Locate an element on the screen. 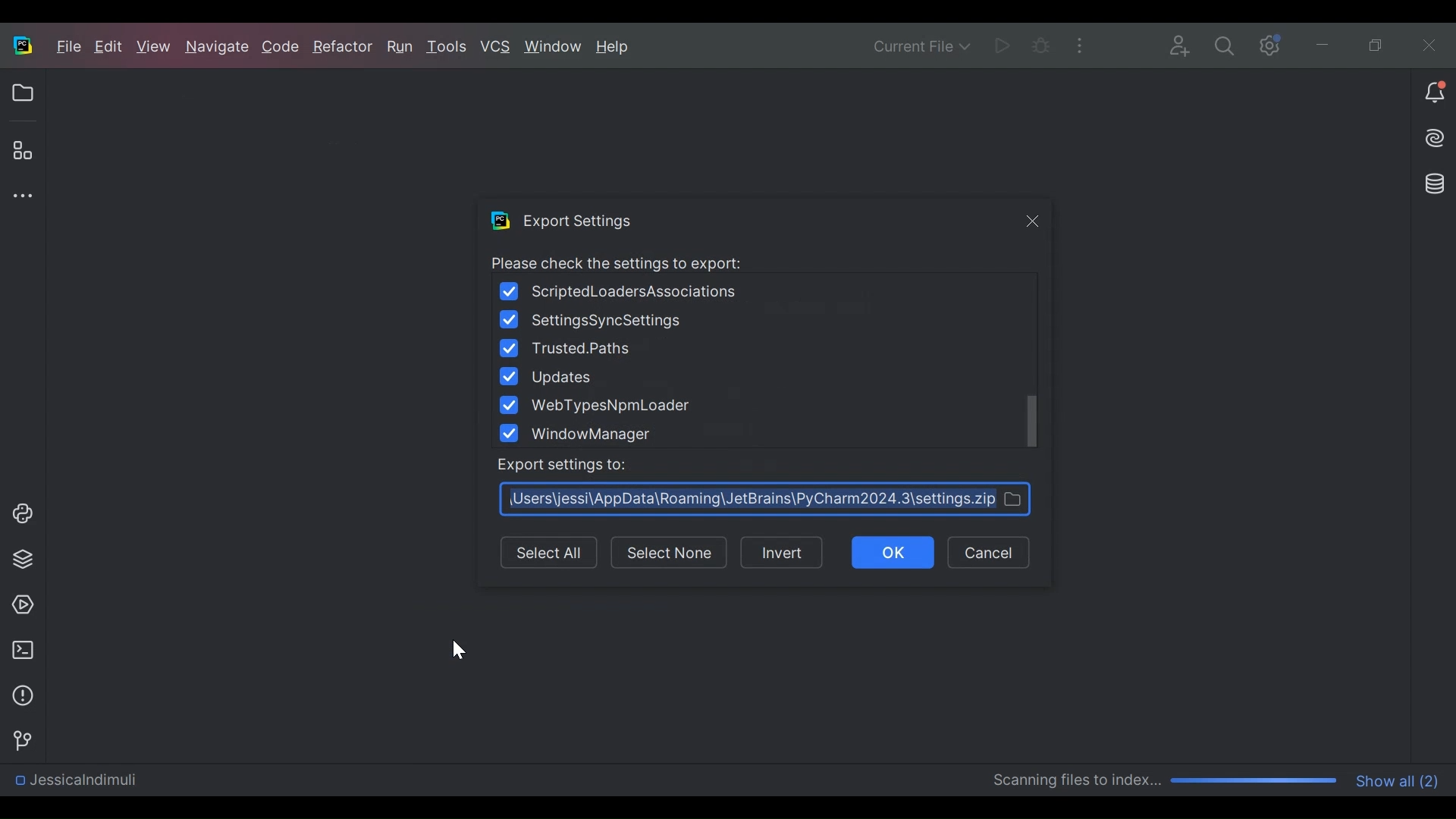 The width and height of the screenshot is (1456, 819). Git is located at coordinates (18, 739).